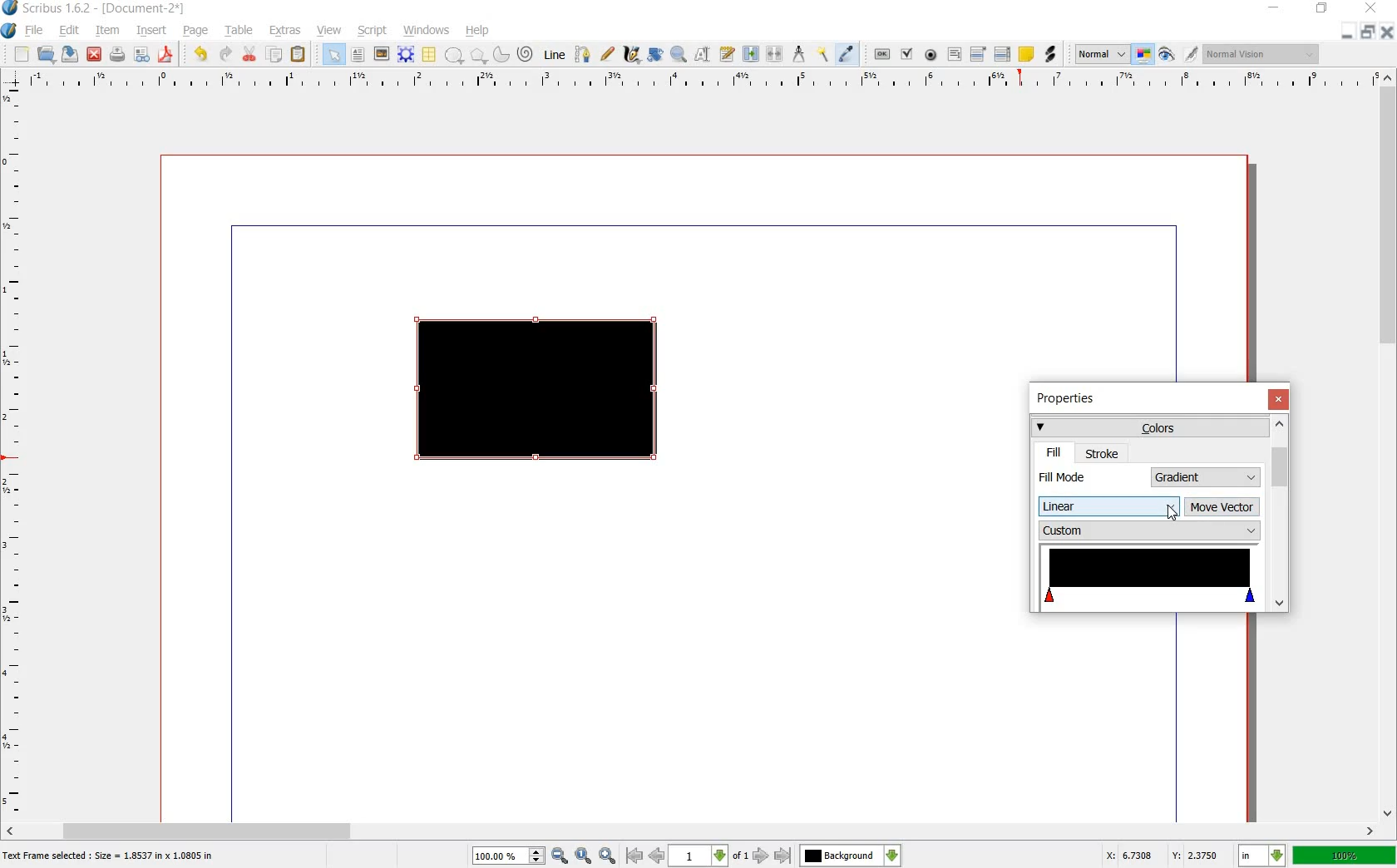 The image size is (1397, 868). Describe the element at coordinates (196, 32) in the screenshot. I see `page` at that location.